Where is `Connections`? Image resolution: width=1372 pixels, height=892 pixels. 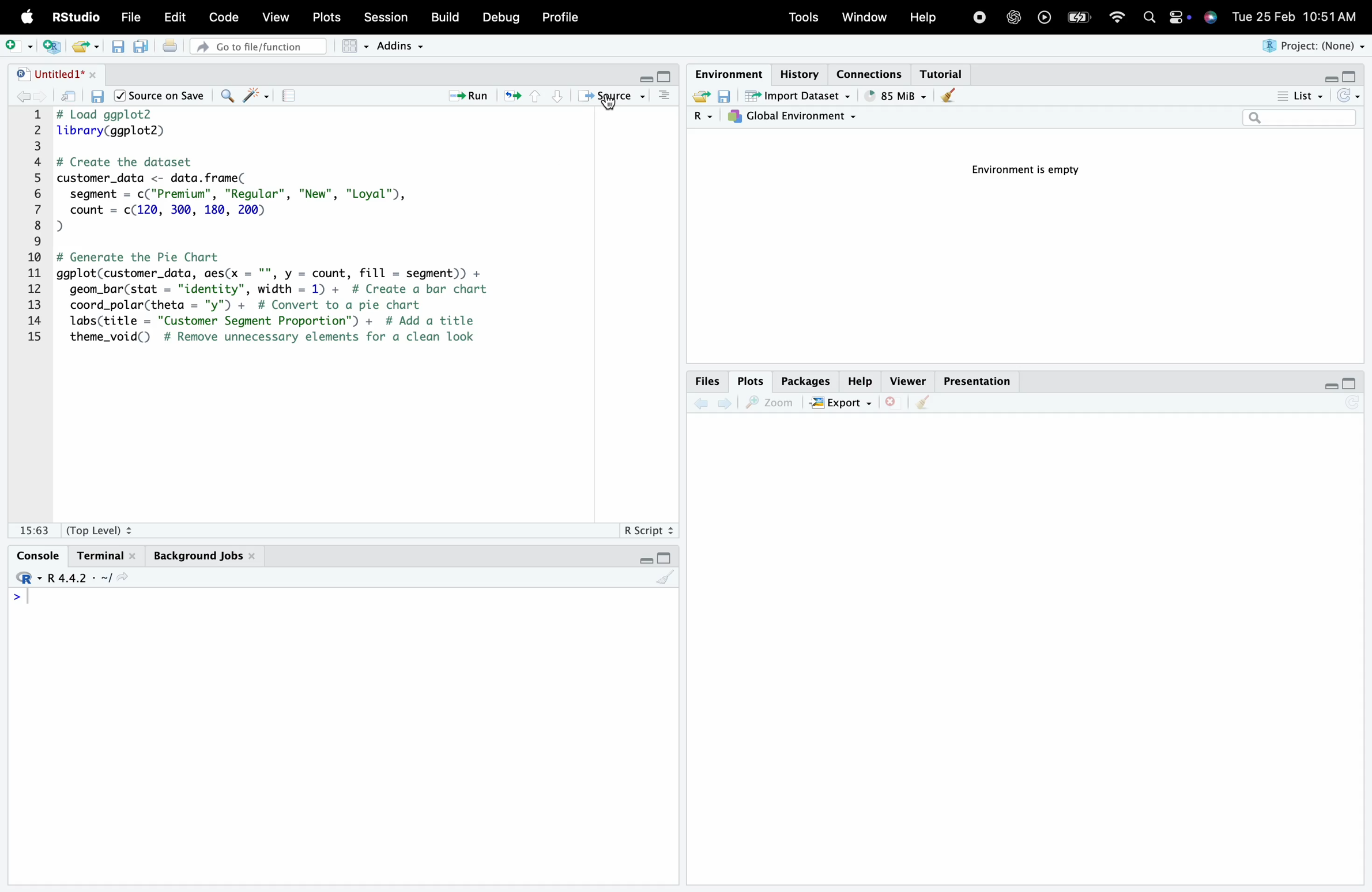 Connections is located at coordinates (872, 73).